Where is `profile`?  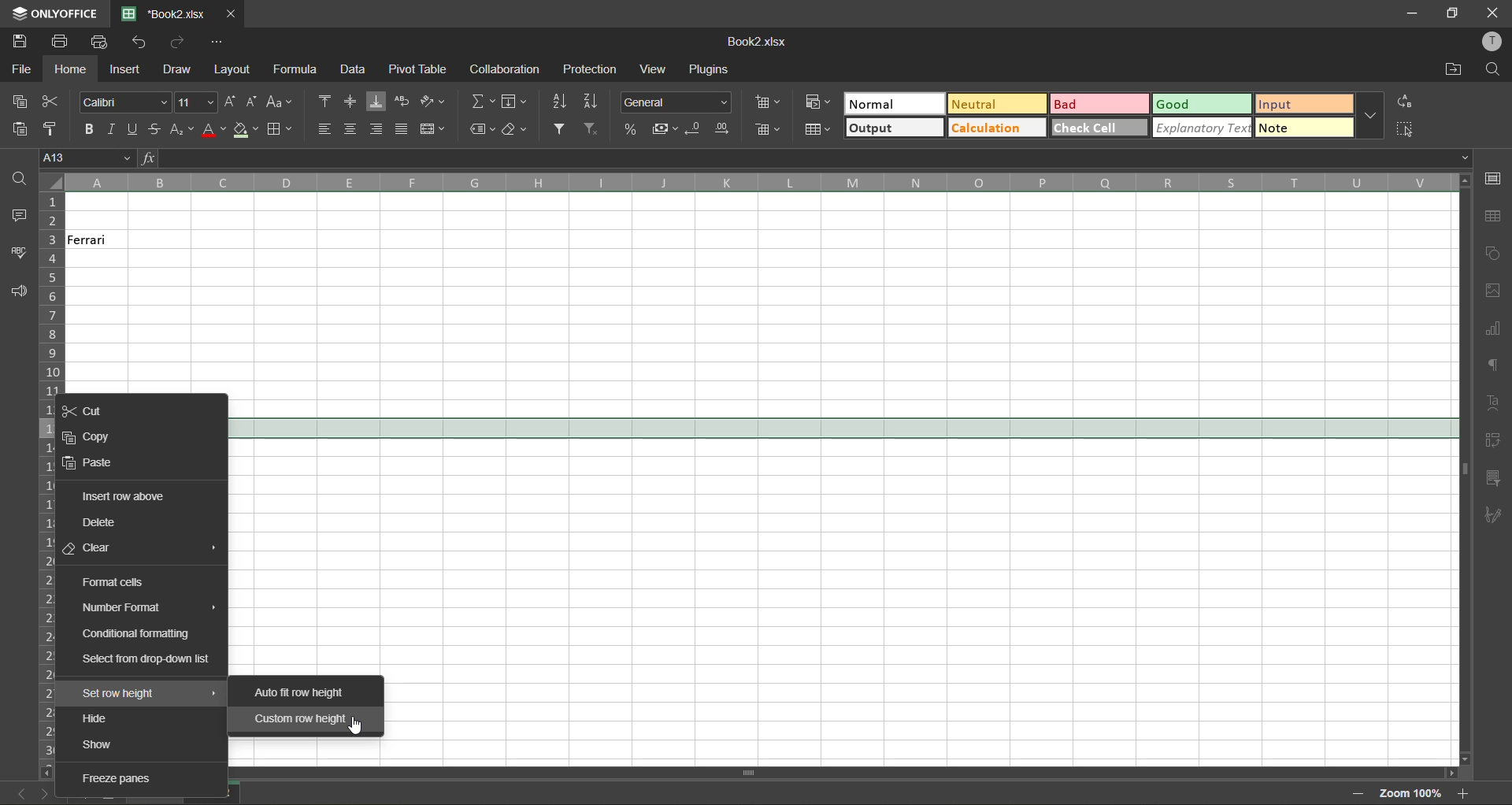
profile is located at coordinates (1490, 42).